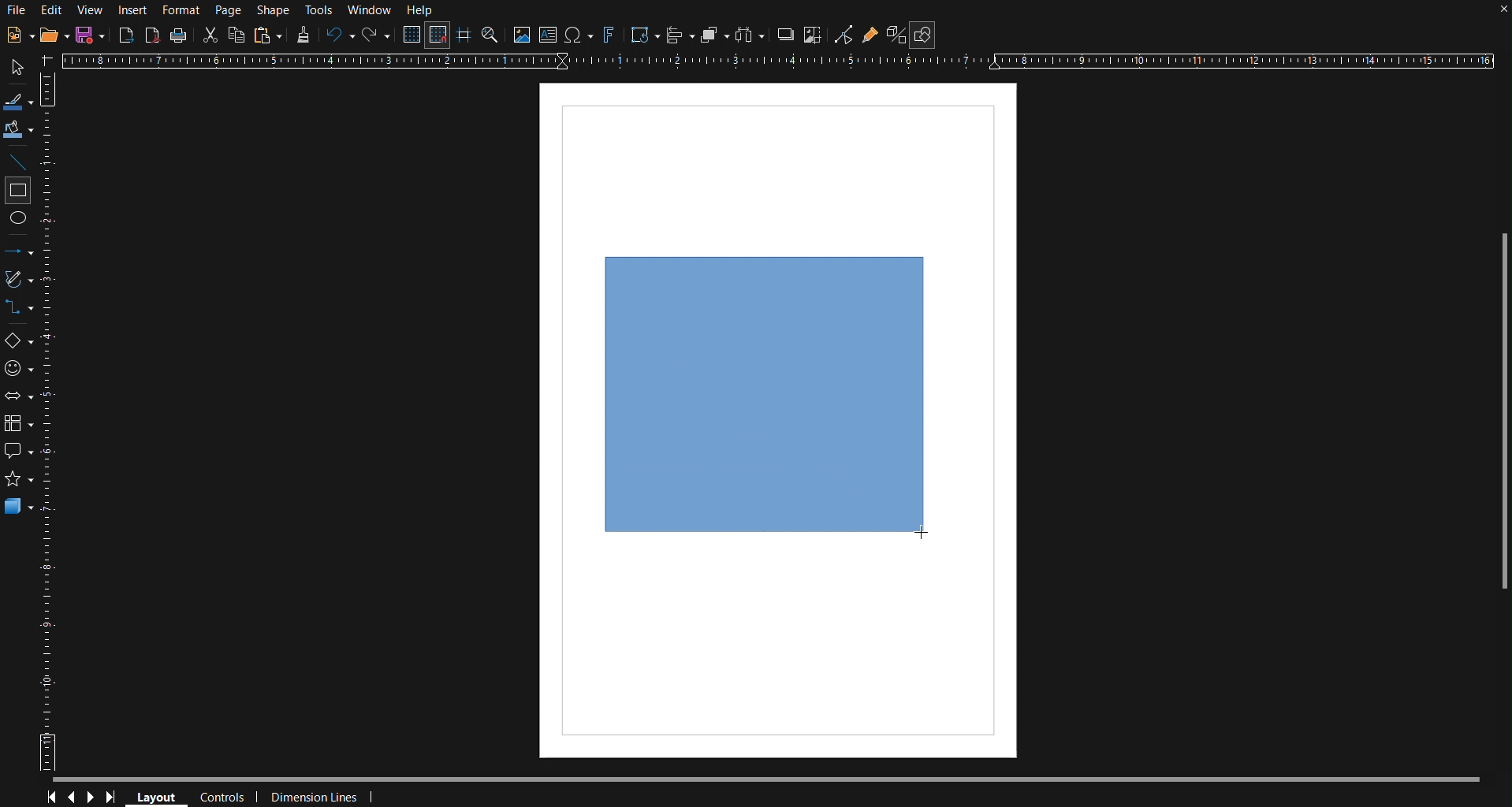 The image size is (1512, 807). Describe the element at coordinates (19, 308) in the screenshot. I see `Connectors` at that location.